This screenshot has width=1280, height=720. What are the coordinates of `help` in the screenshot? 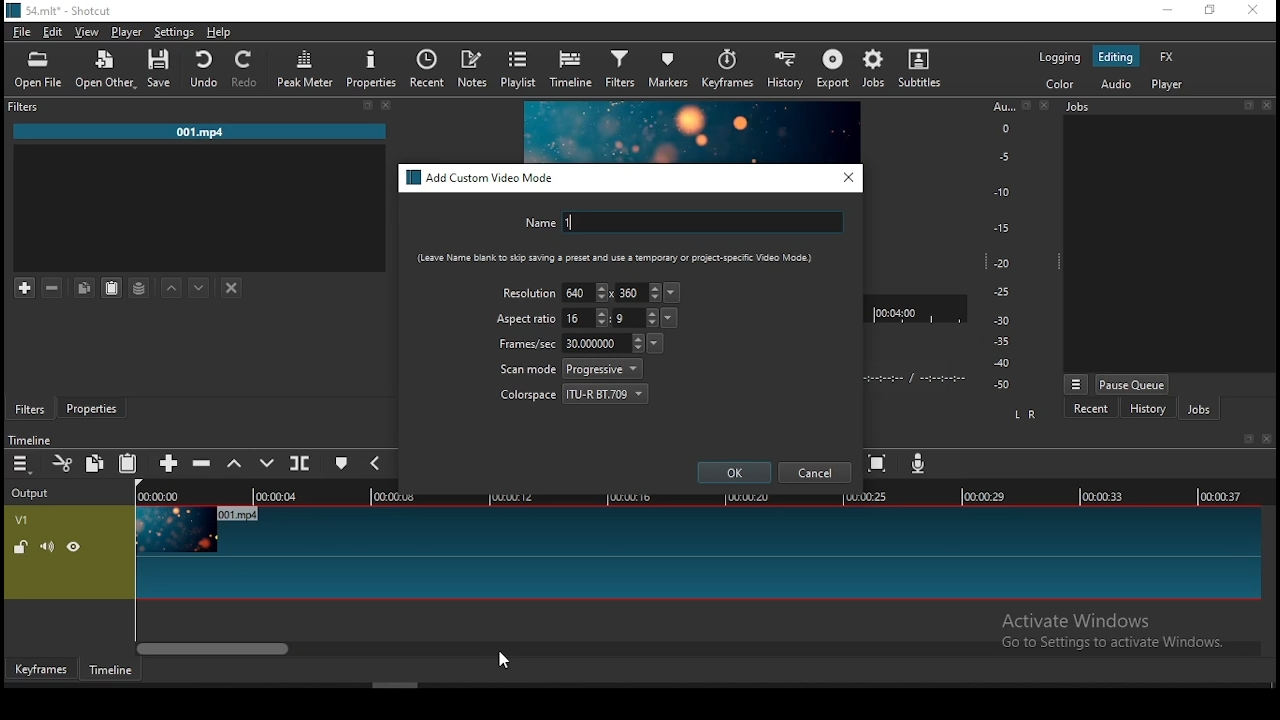 It's located at (219, 32).